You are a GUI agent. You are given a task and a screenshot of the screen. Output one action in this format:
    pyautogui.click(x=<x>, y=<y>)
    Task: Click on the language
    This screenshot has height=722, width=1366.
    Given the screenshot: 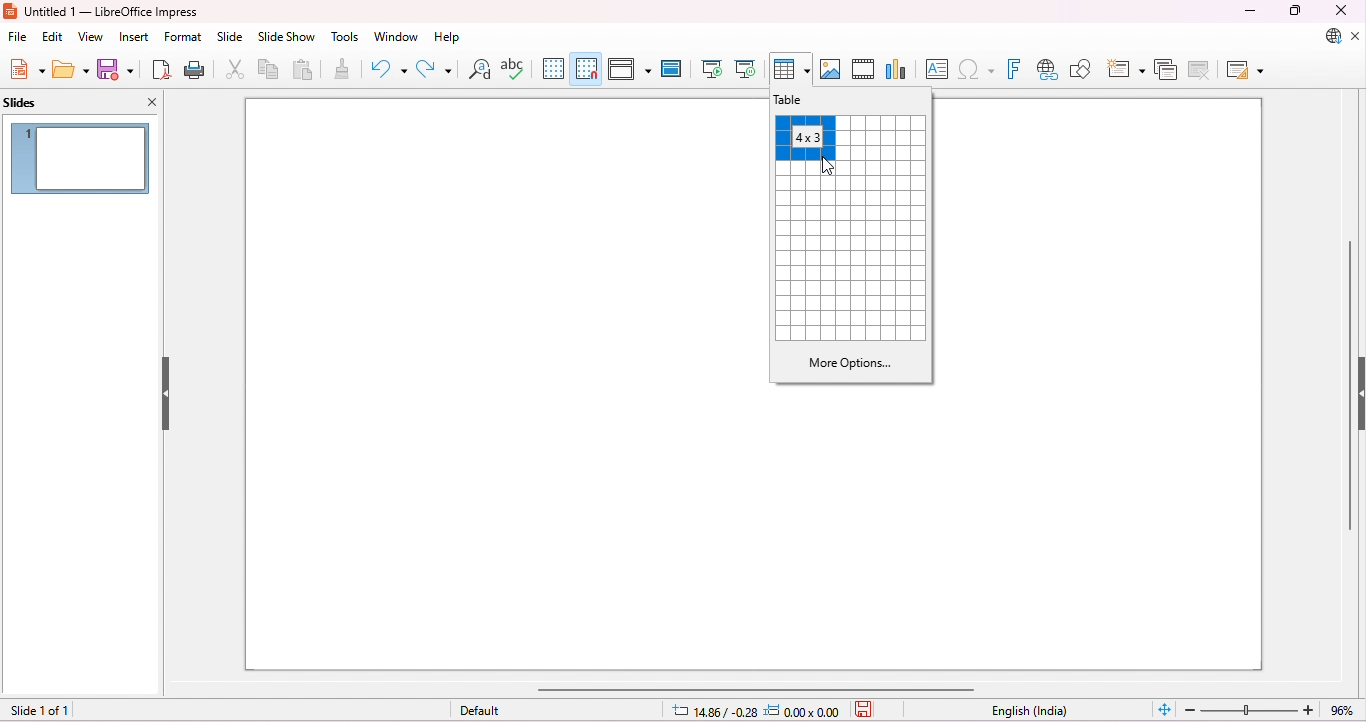 What is the action you would take?
    pyautogui.click(x=1029, y=712)
    